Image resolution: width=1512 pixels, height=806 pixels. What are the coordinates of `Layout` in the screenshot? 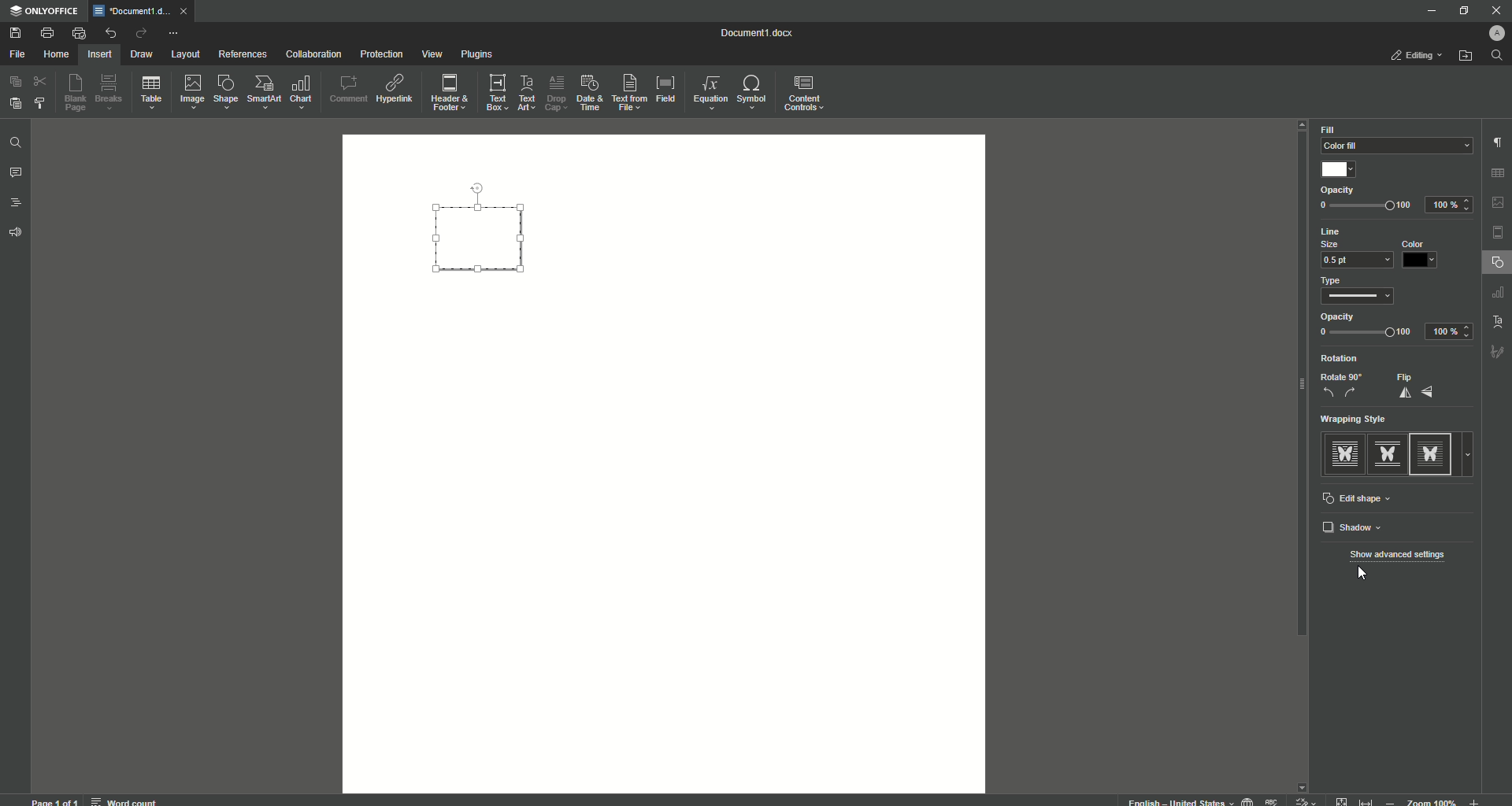 It's located at (185, 54).